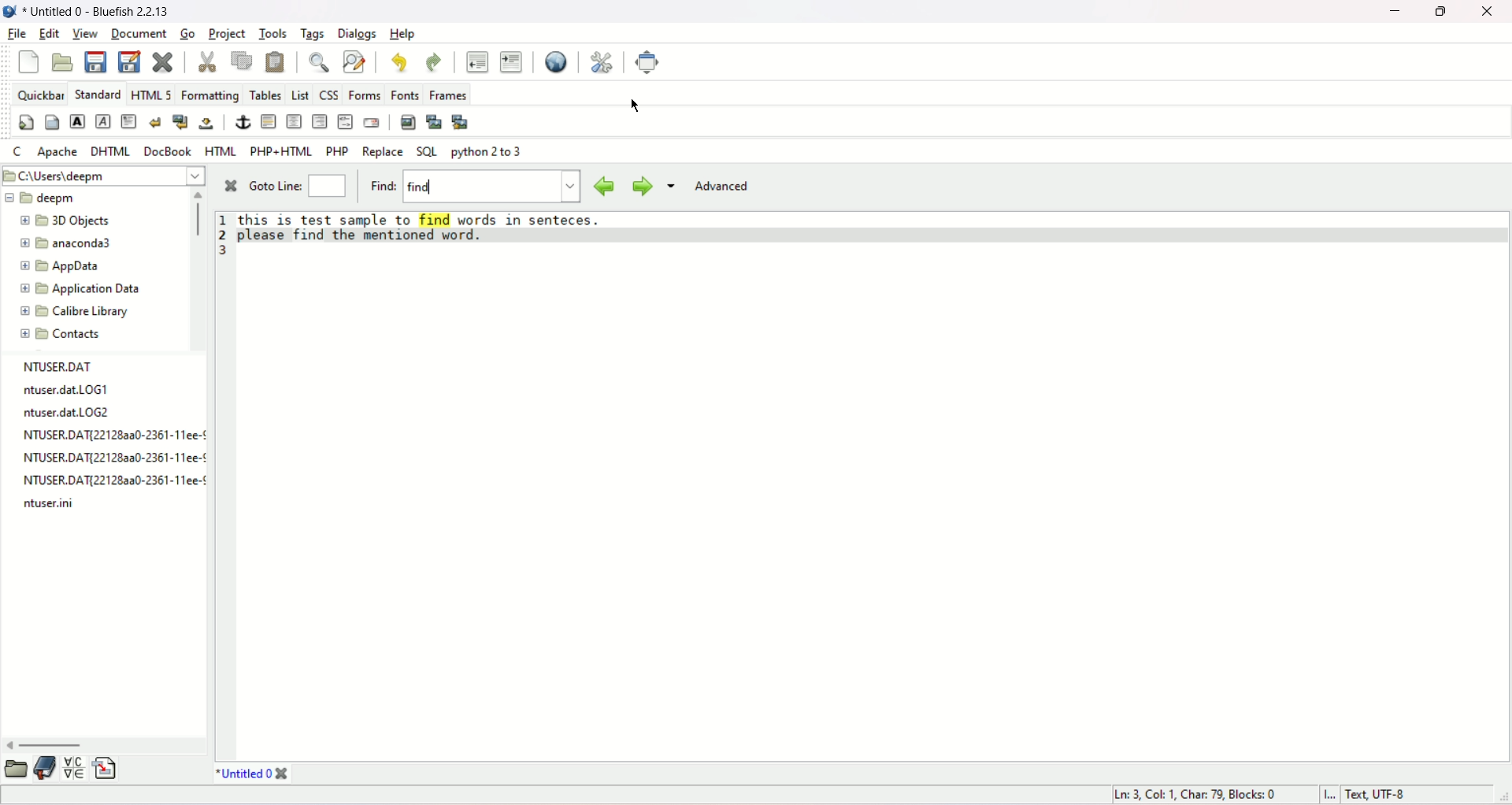  Describe the element at coordinates (487, 152) in the screenshot. I see `python 2 to 3` at that location.